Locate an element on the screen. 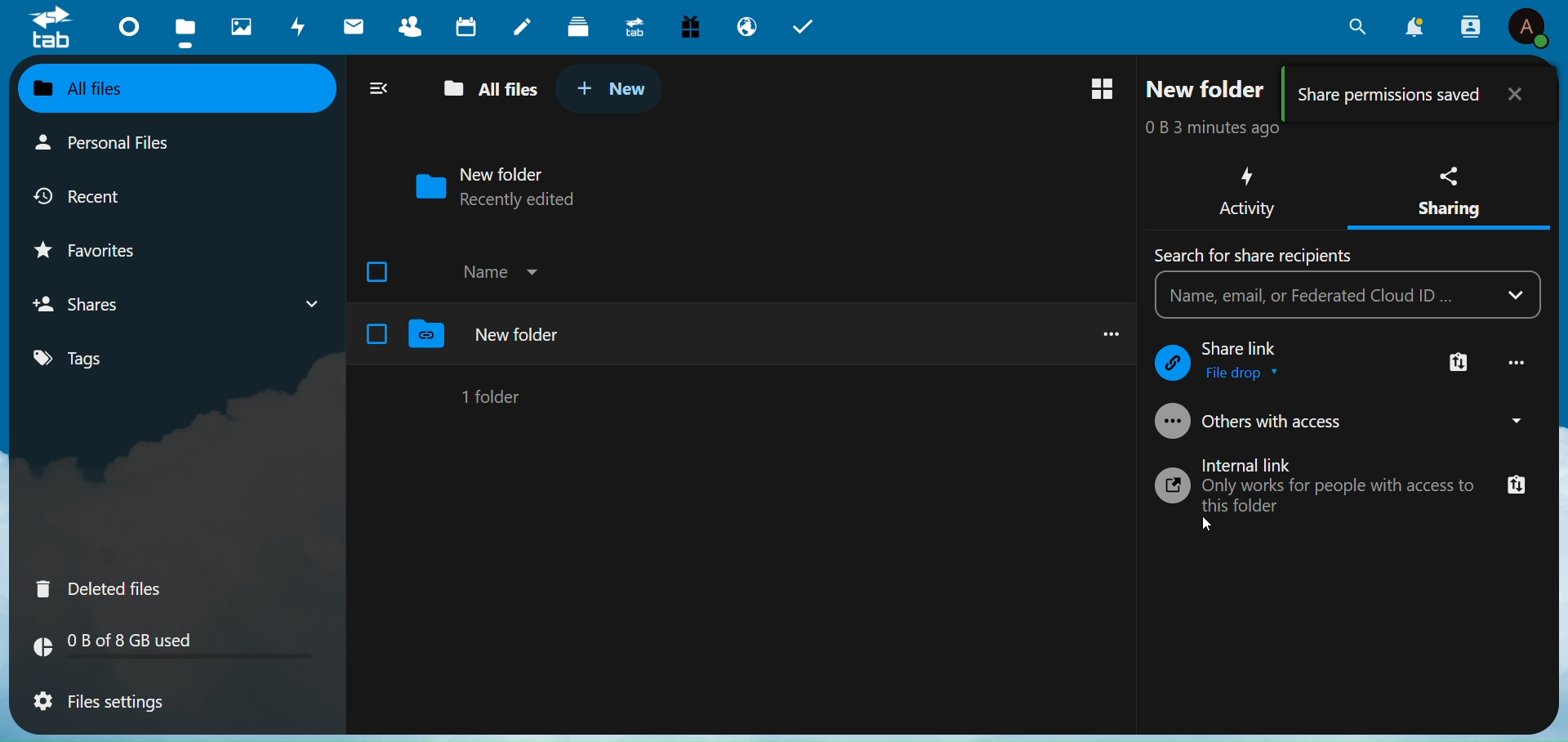 The height and width of the screenshot is (742, 1568). Files is located at coordinates (184, 29).